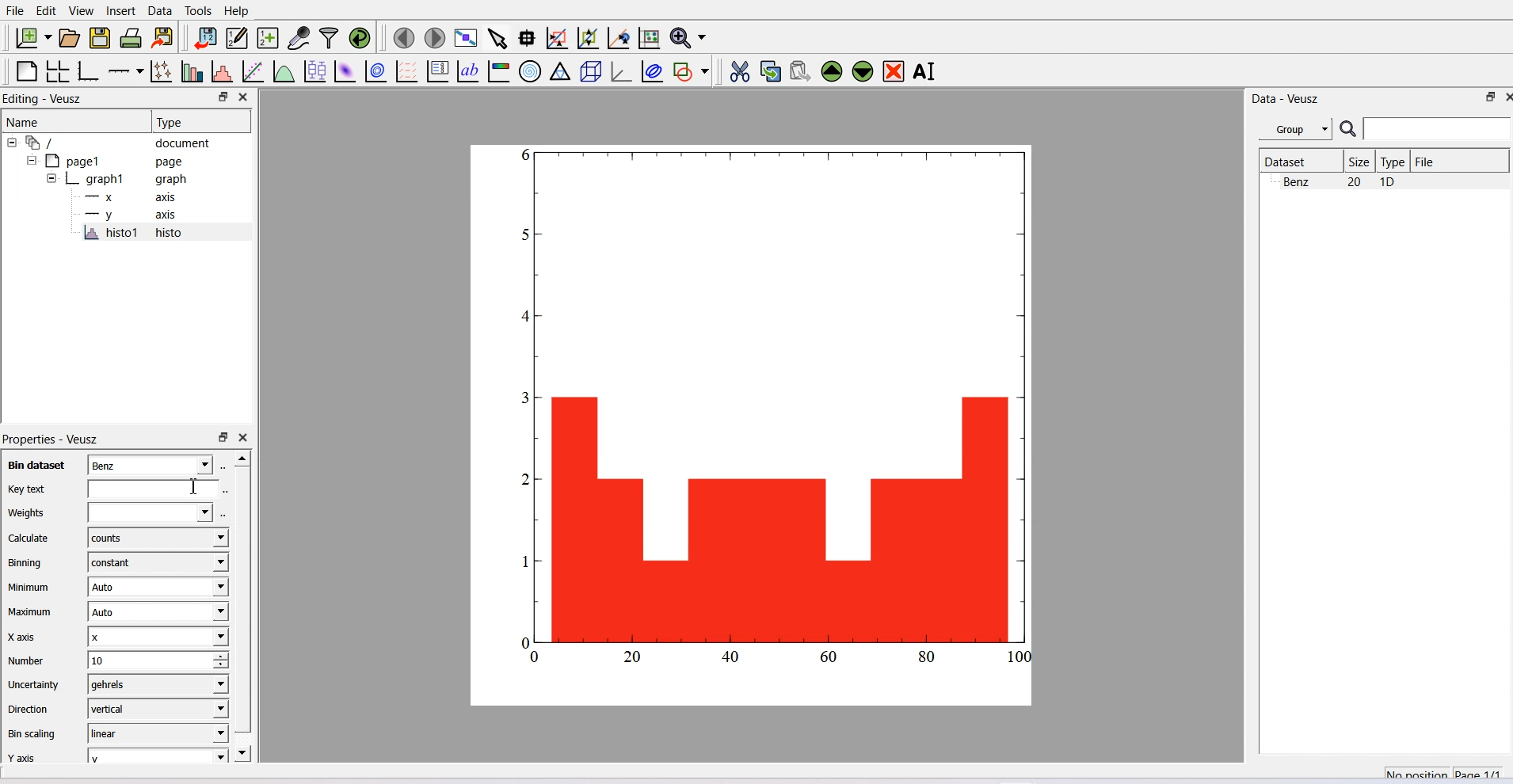 The image size is (1513, 784). What do you see at coordinates (136, 232) in the screenshot?
I see `histo1 histo` at bounding box center [136, 232].